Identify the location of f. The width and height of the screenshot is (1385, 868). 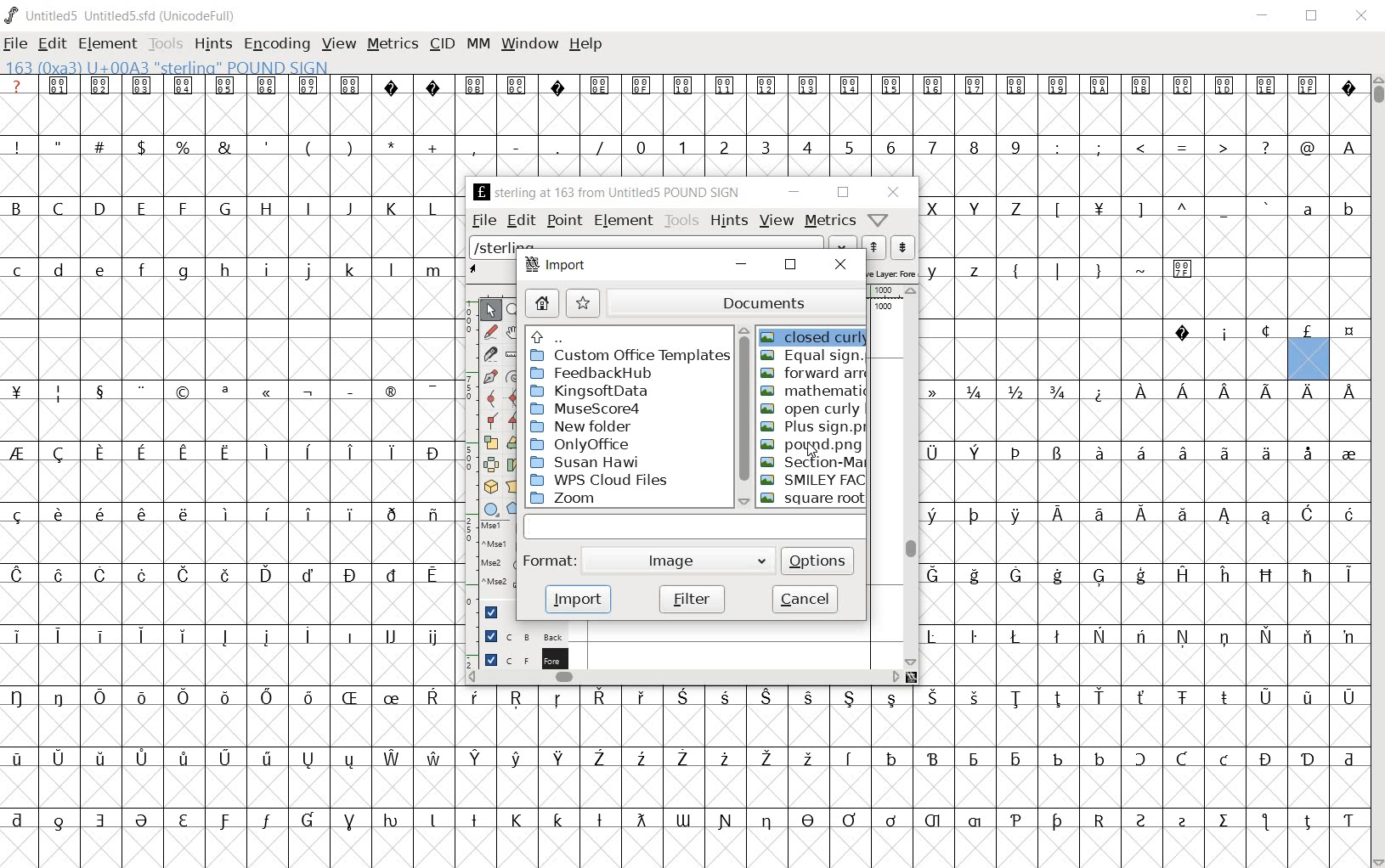
(141, 273).